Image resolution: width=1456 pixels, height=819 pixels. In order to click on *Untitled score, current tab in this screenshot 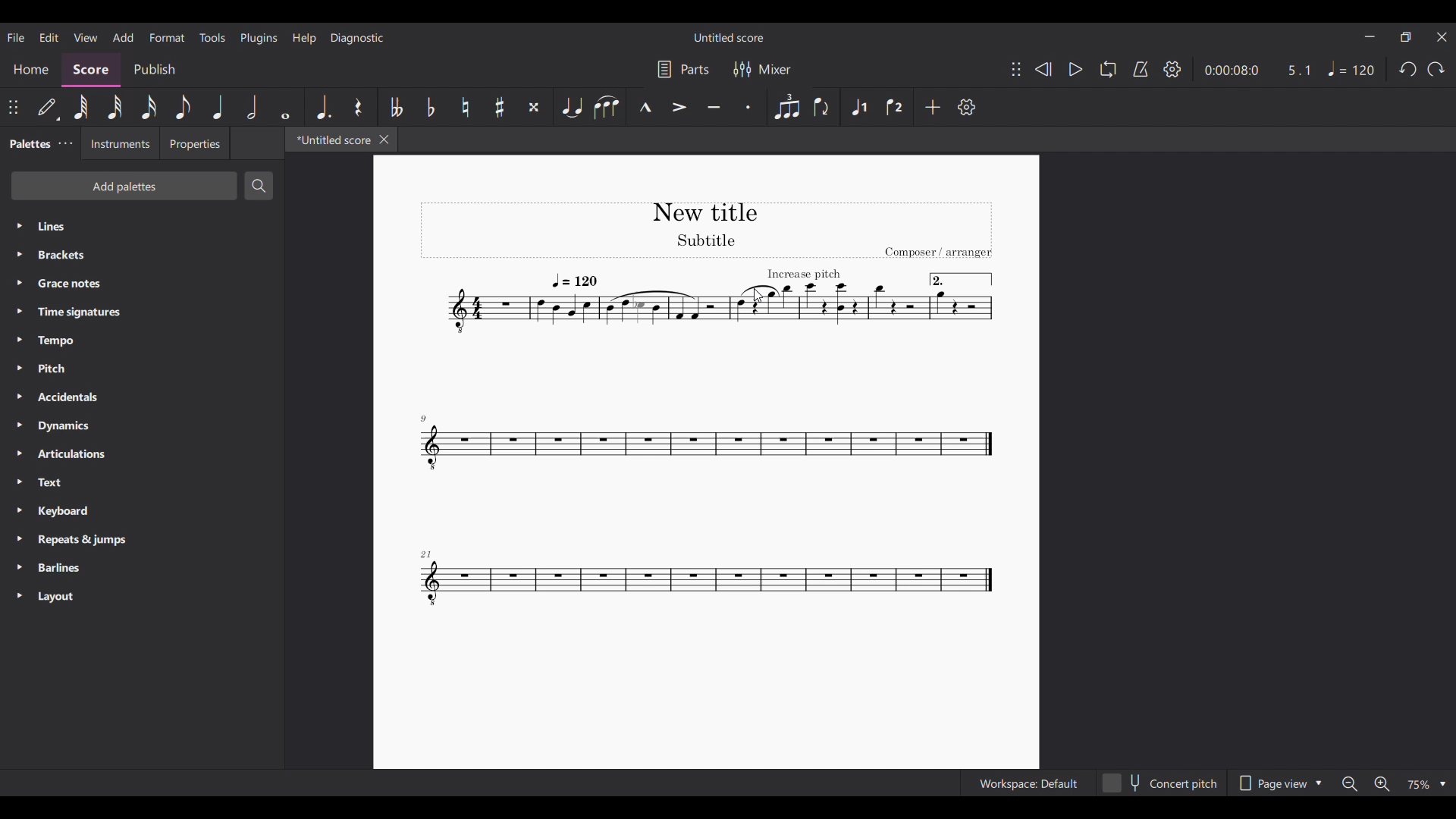, I will do `click(330, 140)`.